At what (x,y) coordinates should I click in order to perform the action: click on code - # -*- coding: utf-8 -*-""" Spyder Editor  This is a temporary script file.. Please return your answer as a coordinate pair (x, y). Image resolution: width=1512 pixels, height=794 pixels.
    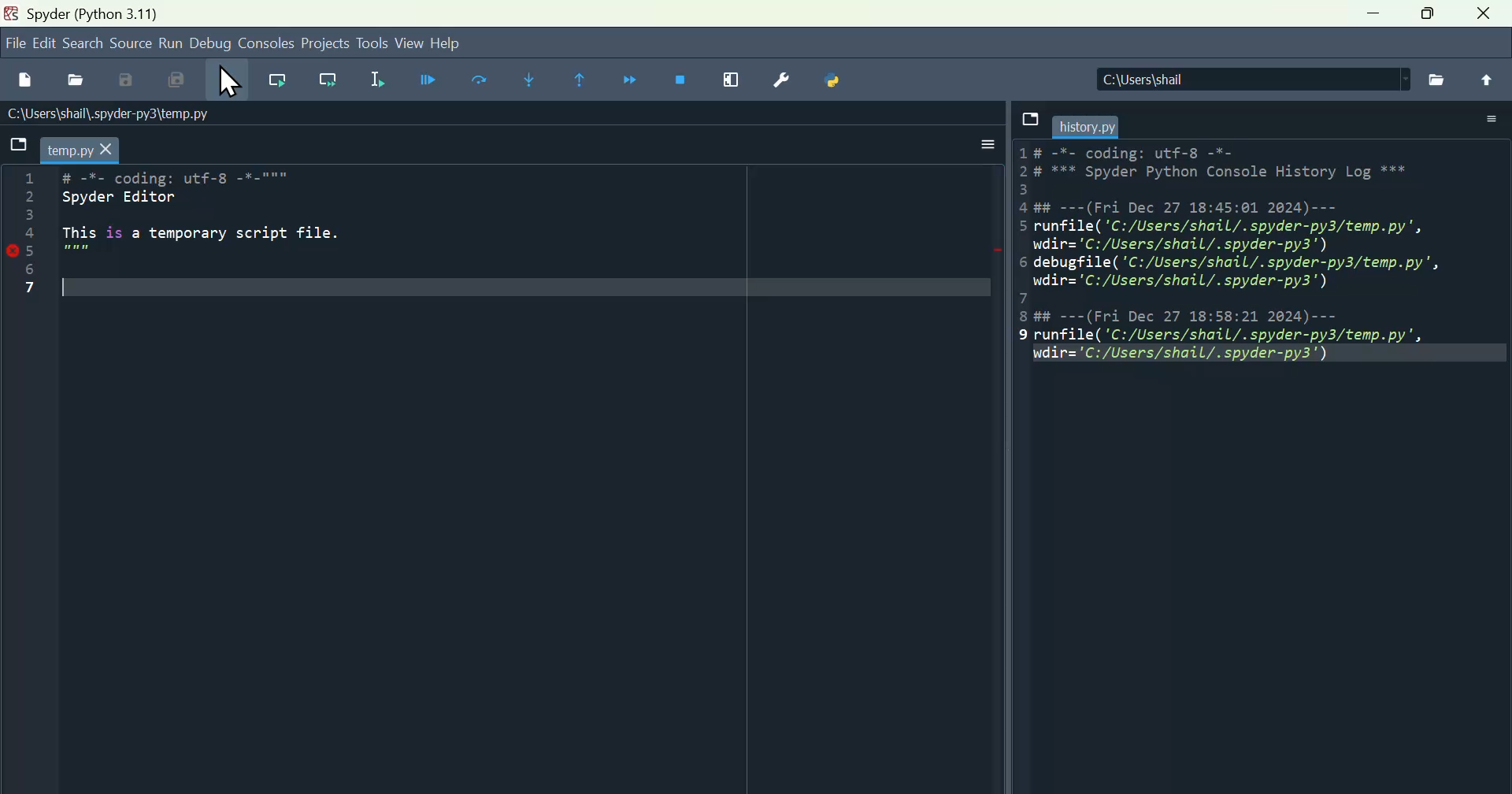
    Looking at the image, I should click on (237, 241).